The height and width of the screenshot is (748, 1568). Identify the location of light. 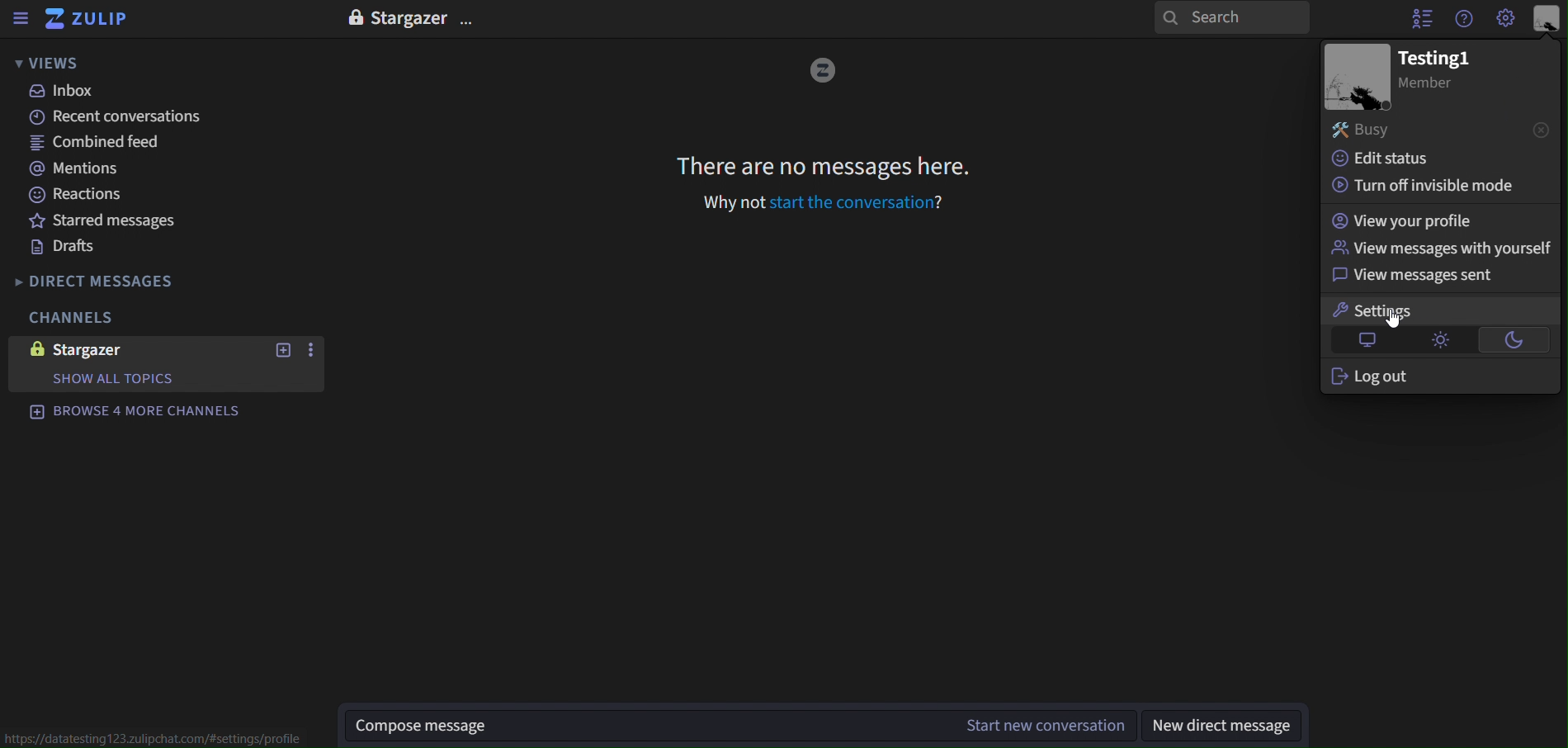
(1440, 341).